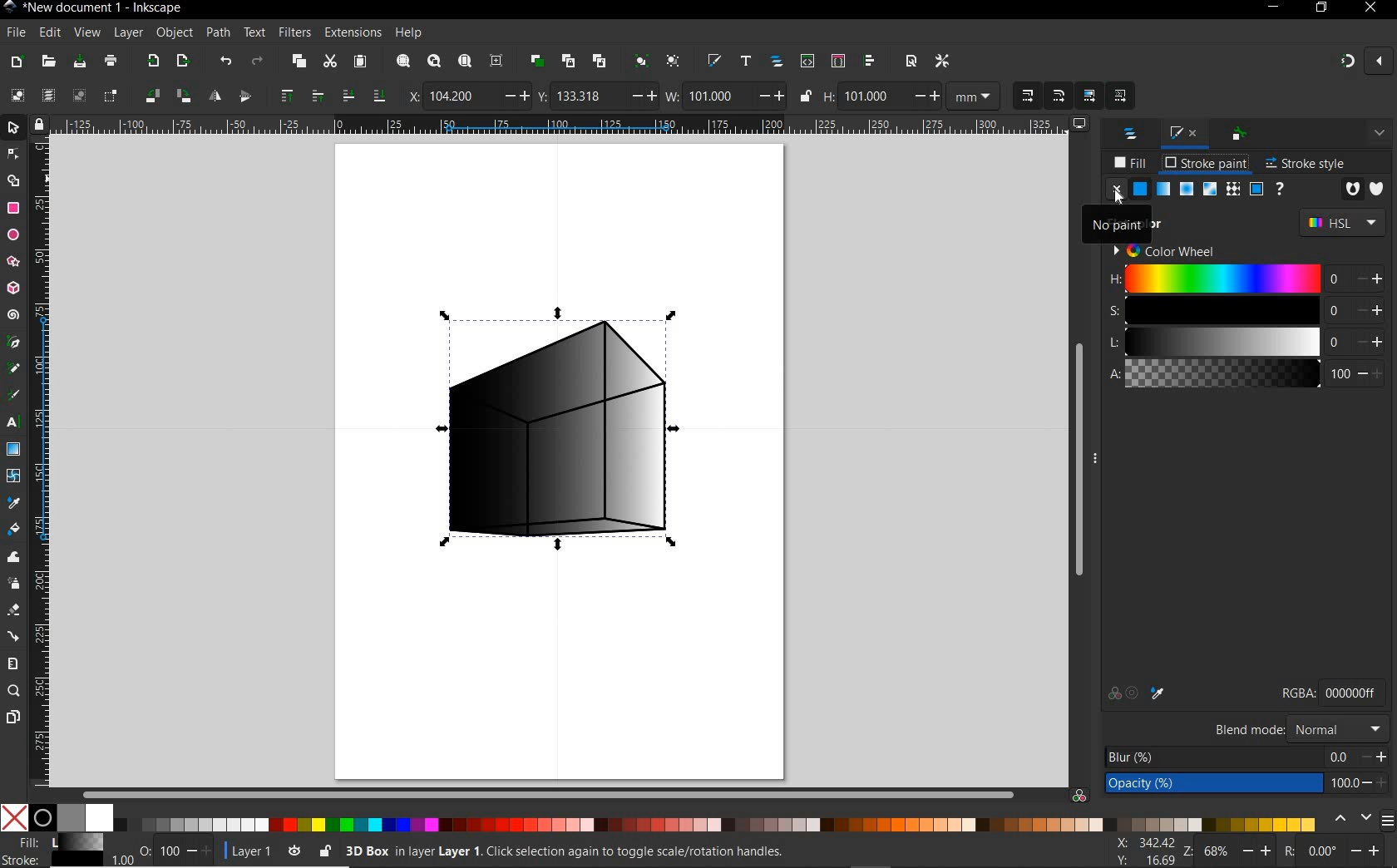 This screenshot has height=868, width=1397. I want to click on increase/decrease, so click(1370, 373).